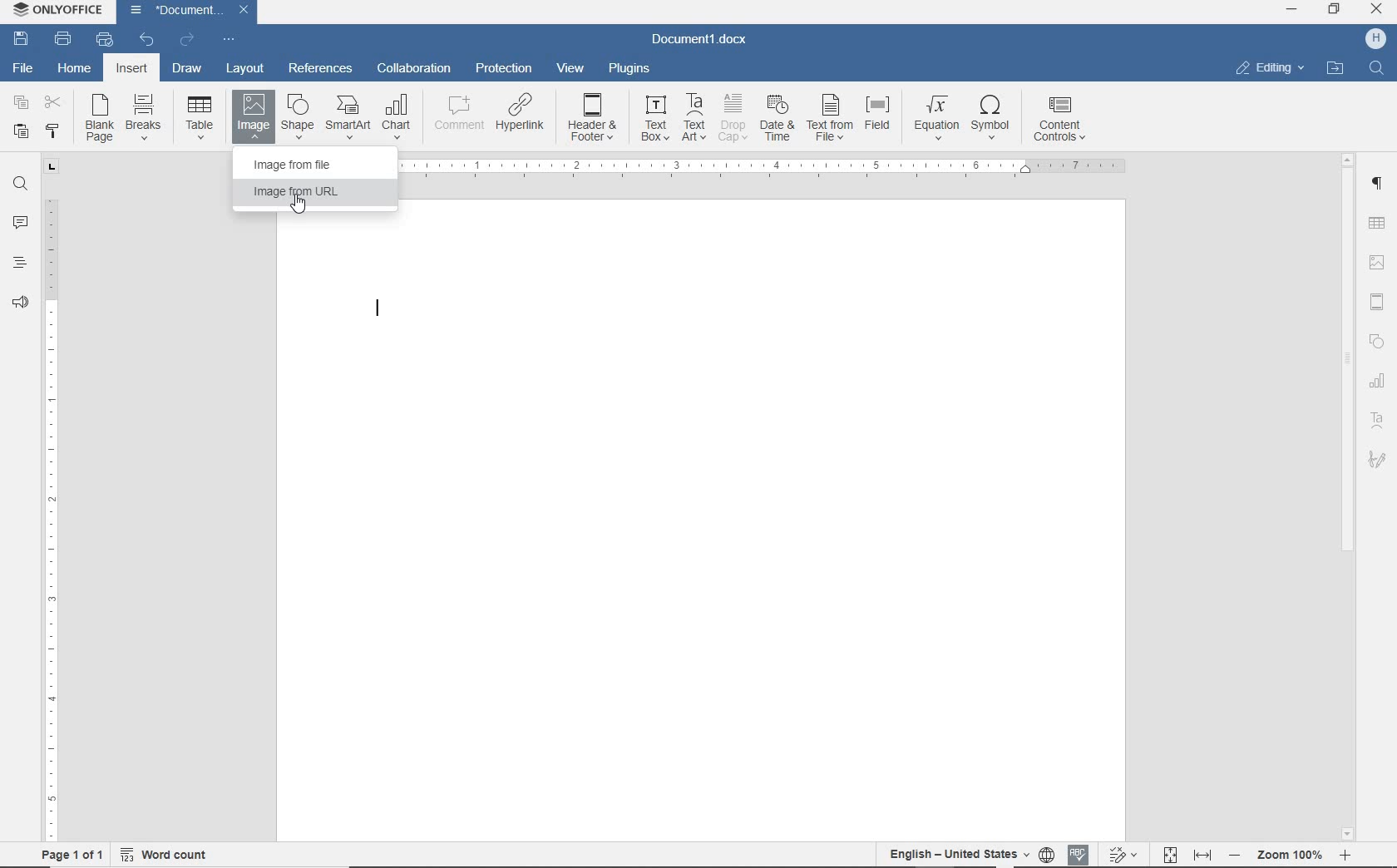 The height and width of the screenshot is (868, 1397). Describe the element at coordinates (1346, 497) in the screenshot. I see `scrollbar` at that location.